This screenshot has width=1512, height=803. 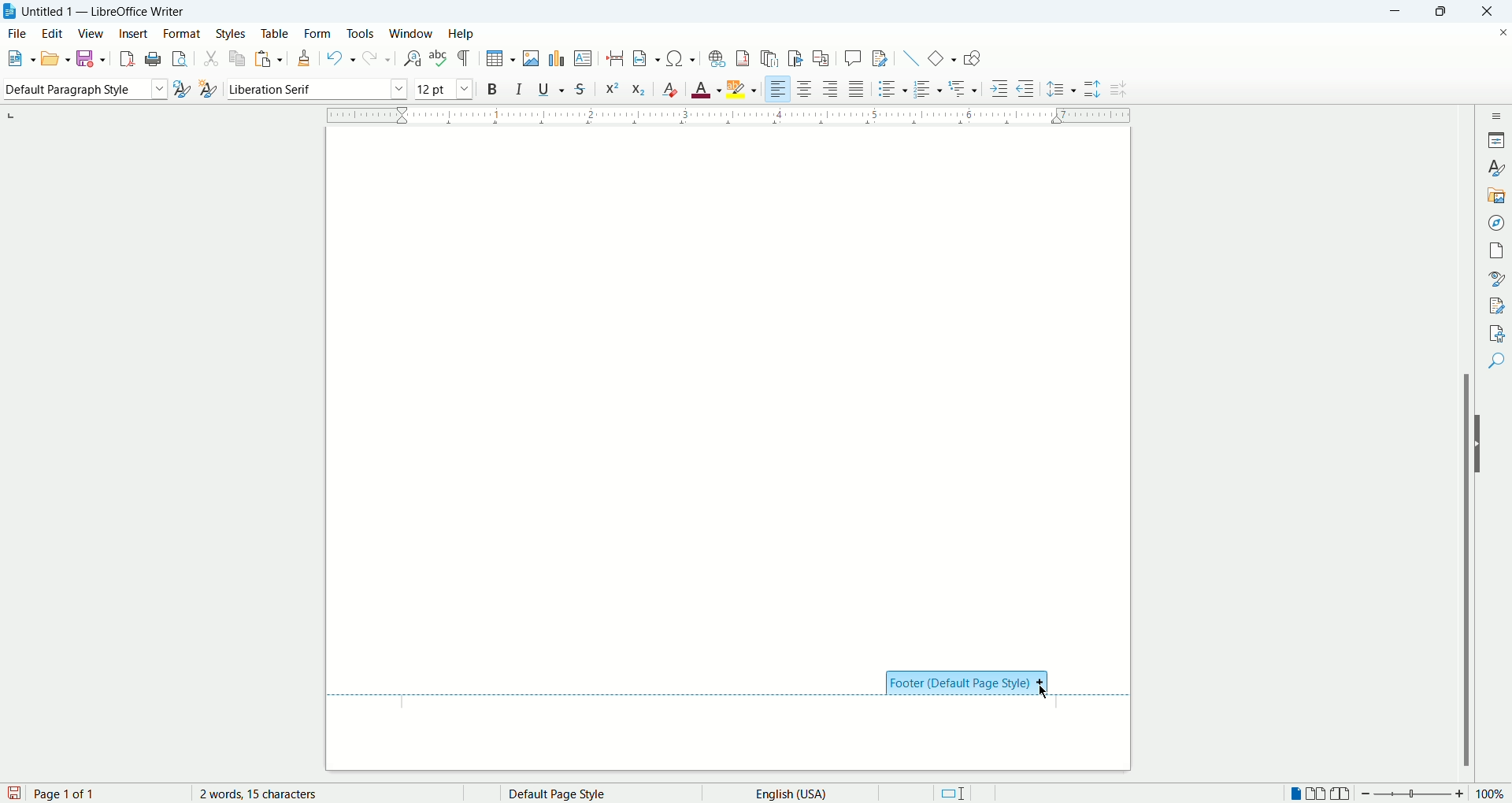 What do you see at coordinates (890, 89) in the screenshot?
I see `unordered list` at bounding box center [890, 89].